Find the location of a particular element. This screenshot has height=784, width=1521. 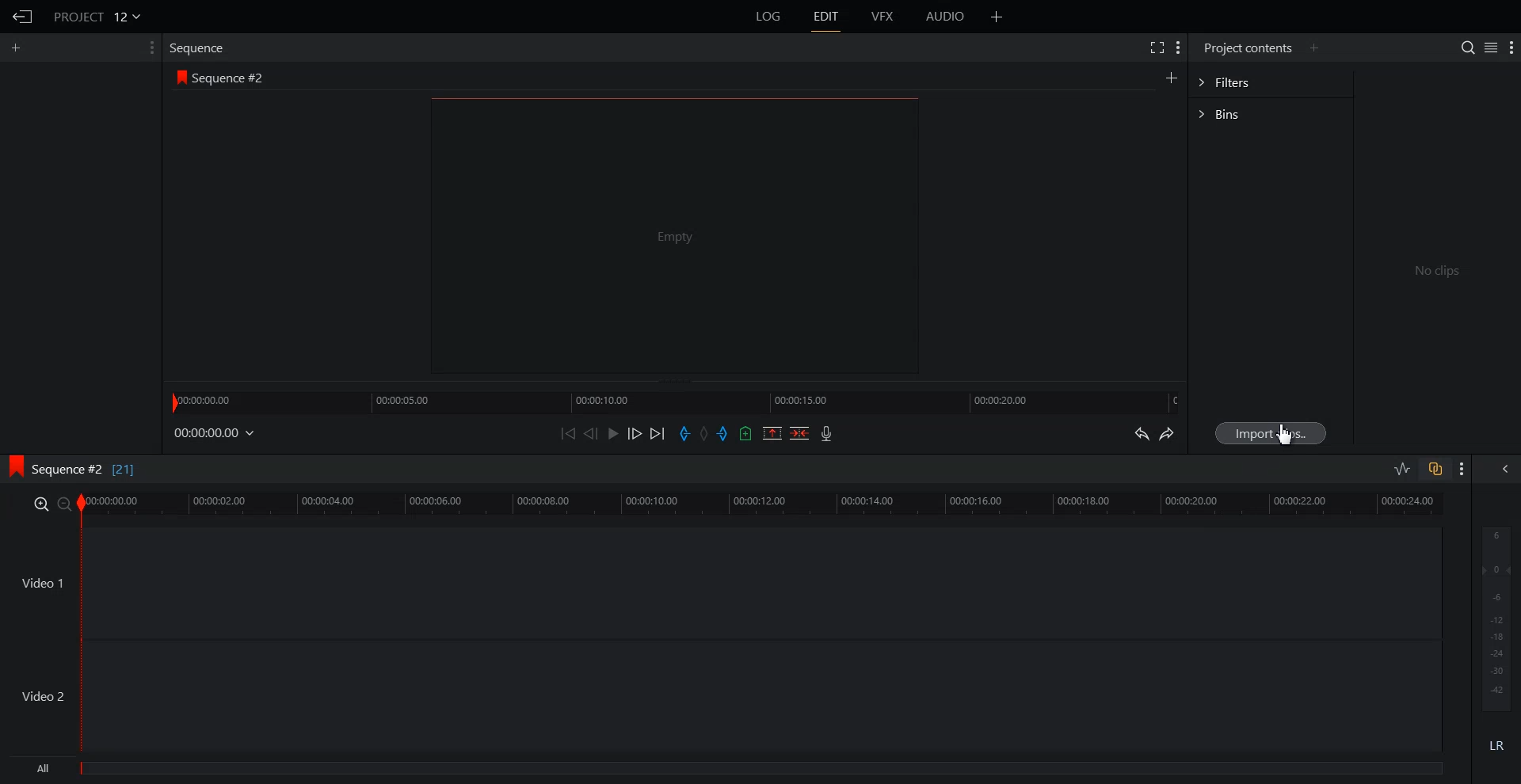

Add Cue in the current video is located at coordinates (746, 432).